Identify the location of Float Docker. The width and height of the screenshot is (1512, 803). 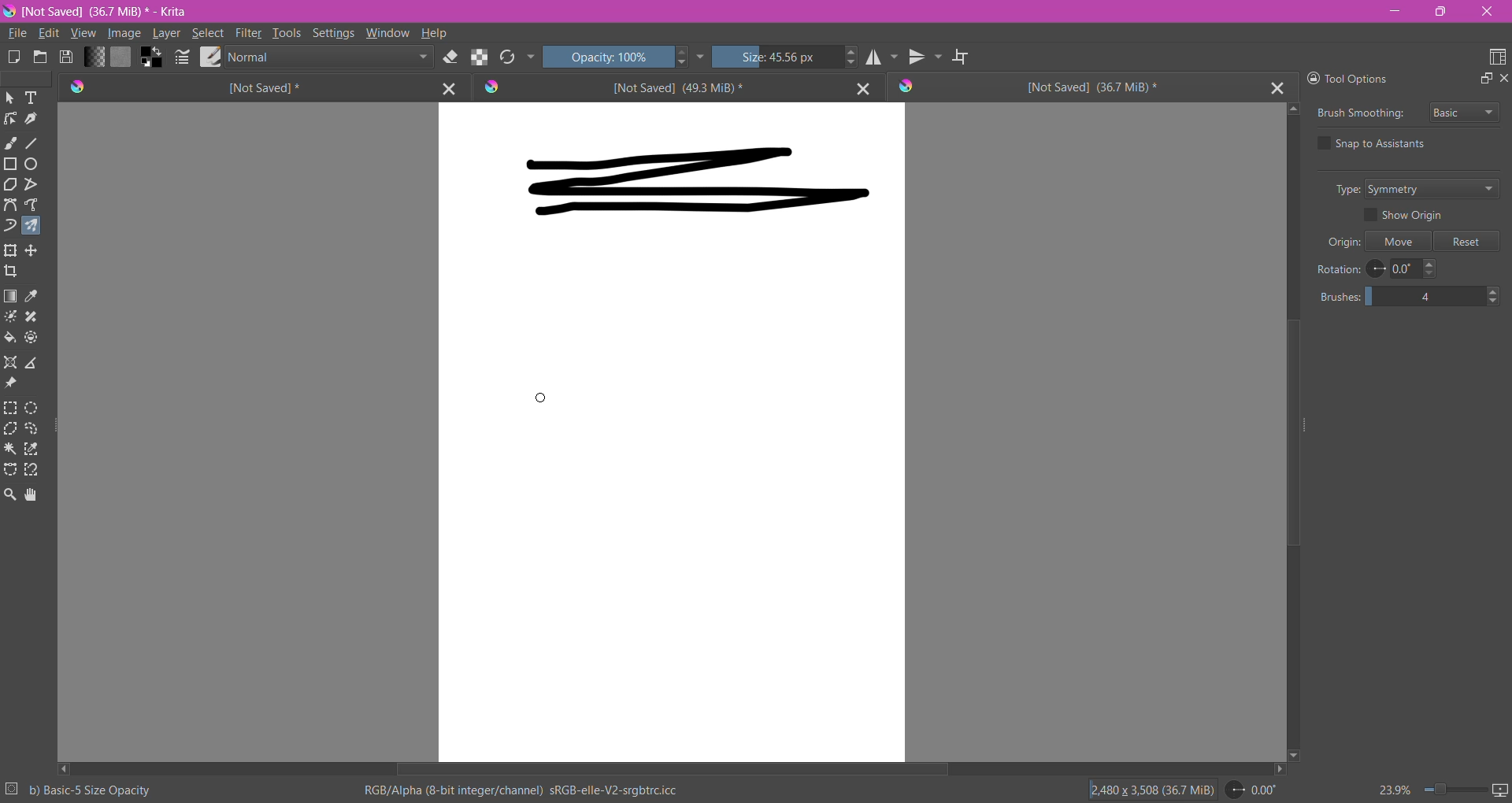
(1484, 79).